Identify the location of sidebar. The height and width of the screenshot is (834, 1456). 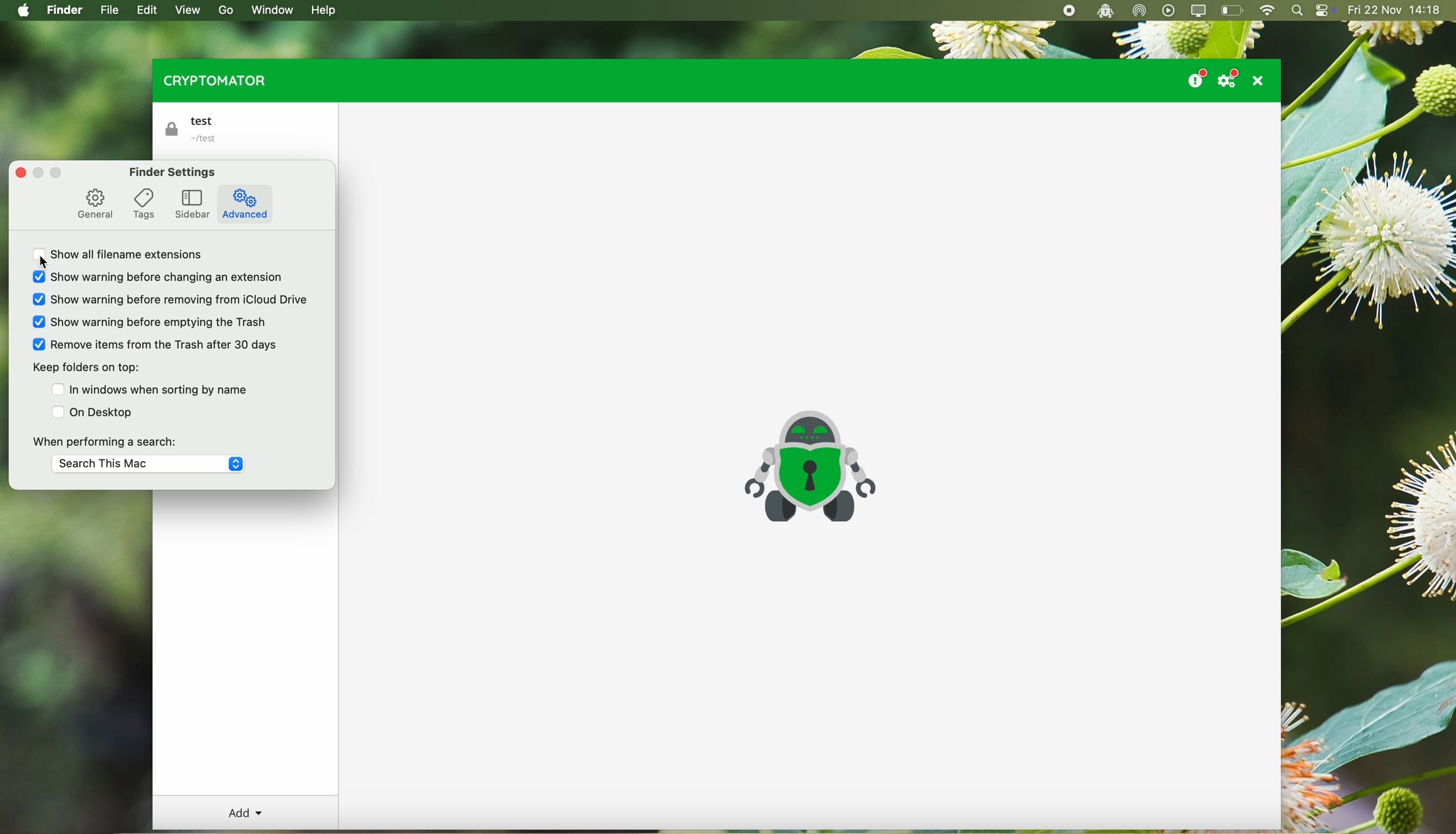
(193, 204).